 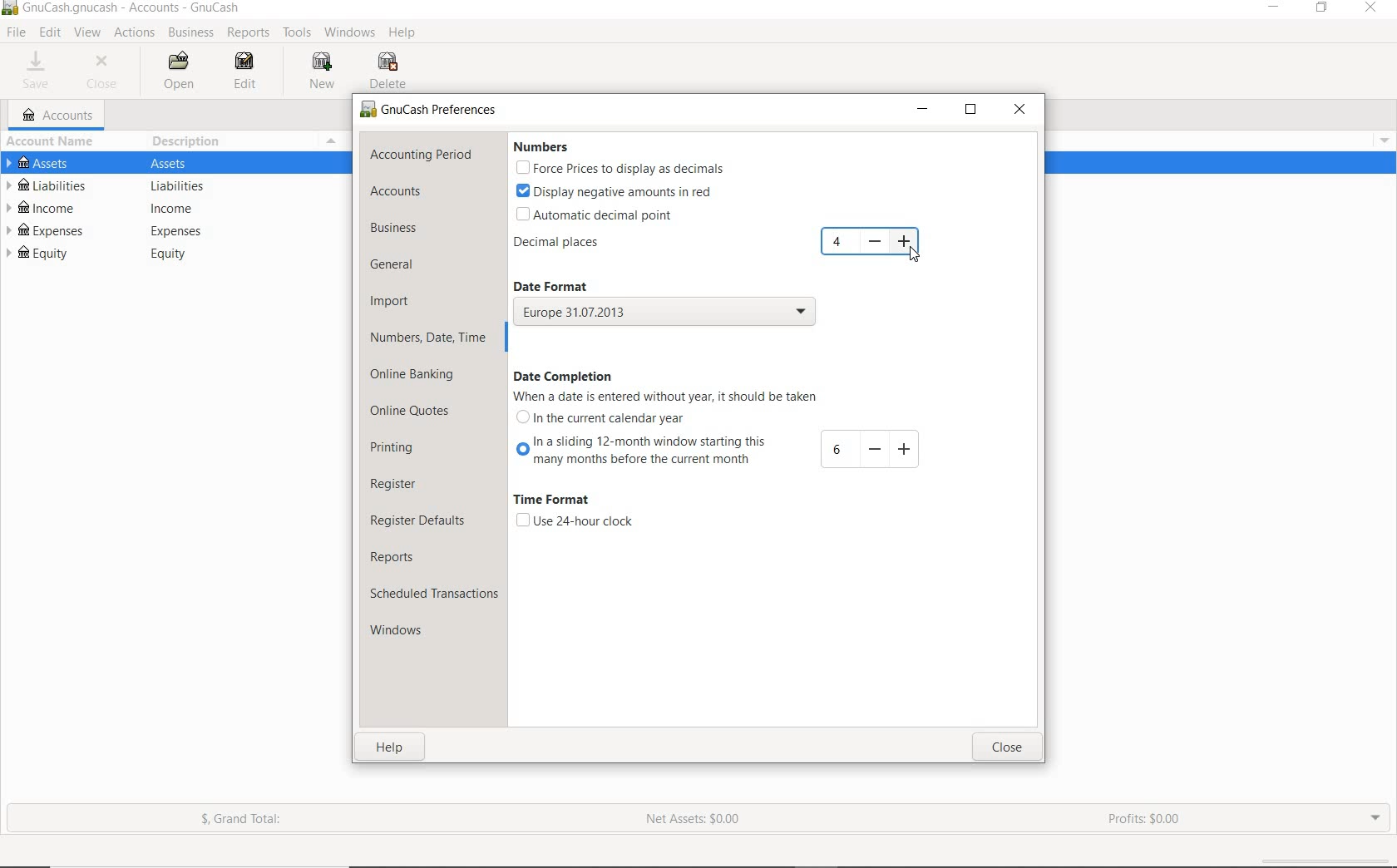 What do you see at coordinates (192, 33) in the screenshot?
I see `BUSINESS` at bounding box center [192, 33].